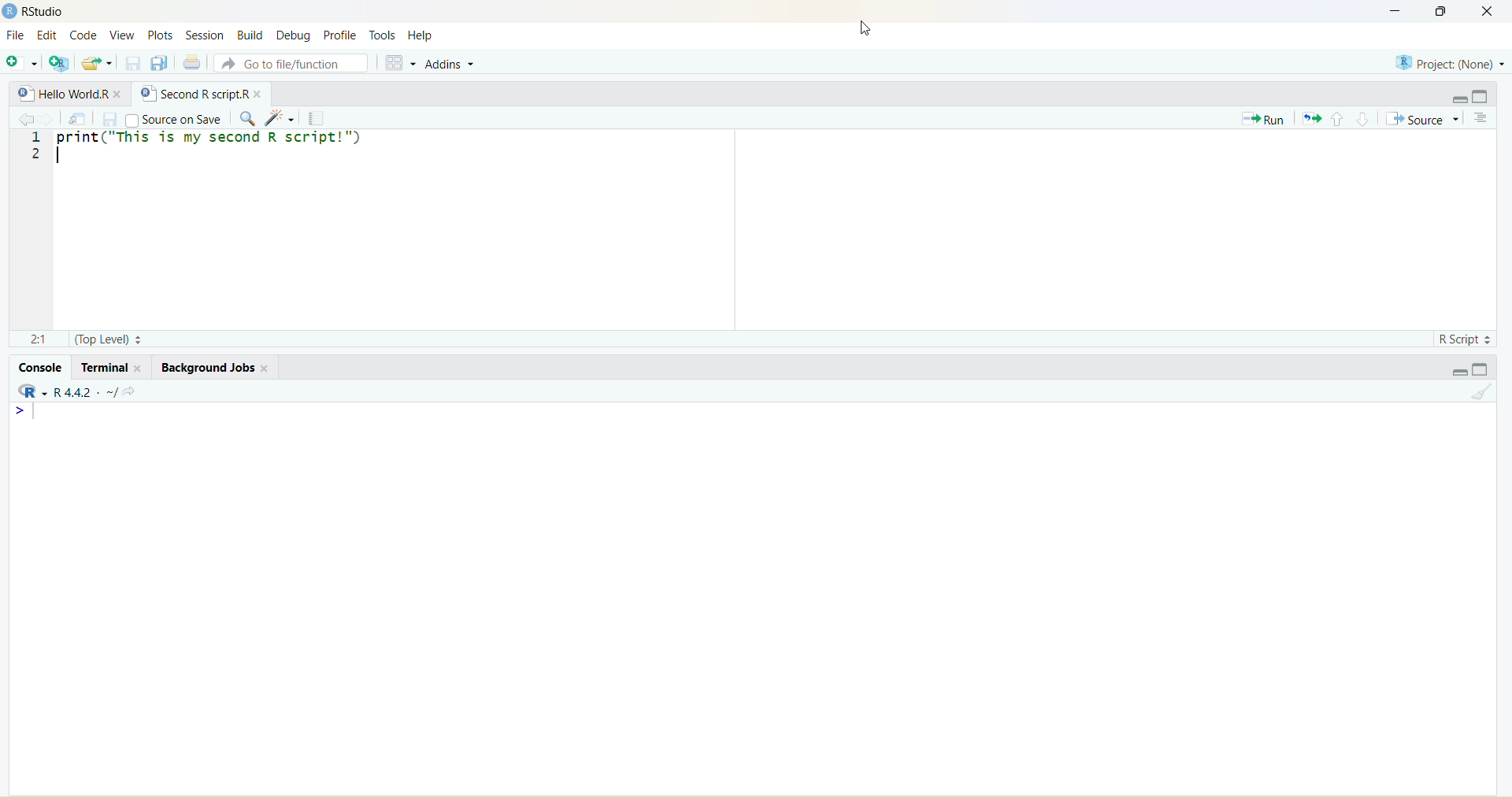  Describe the element at coordinates (294, 37) in the screenshot. I see `Debug` at that location.